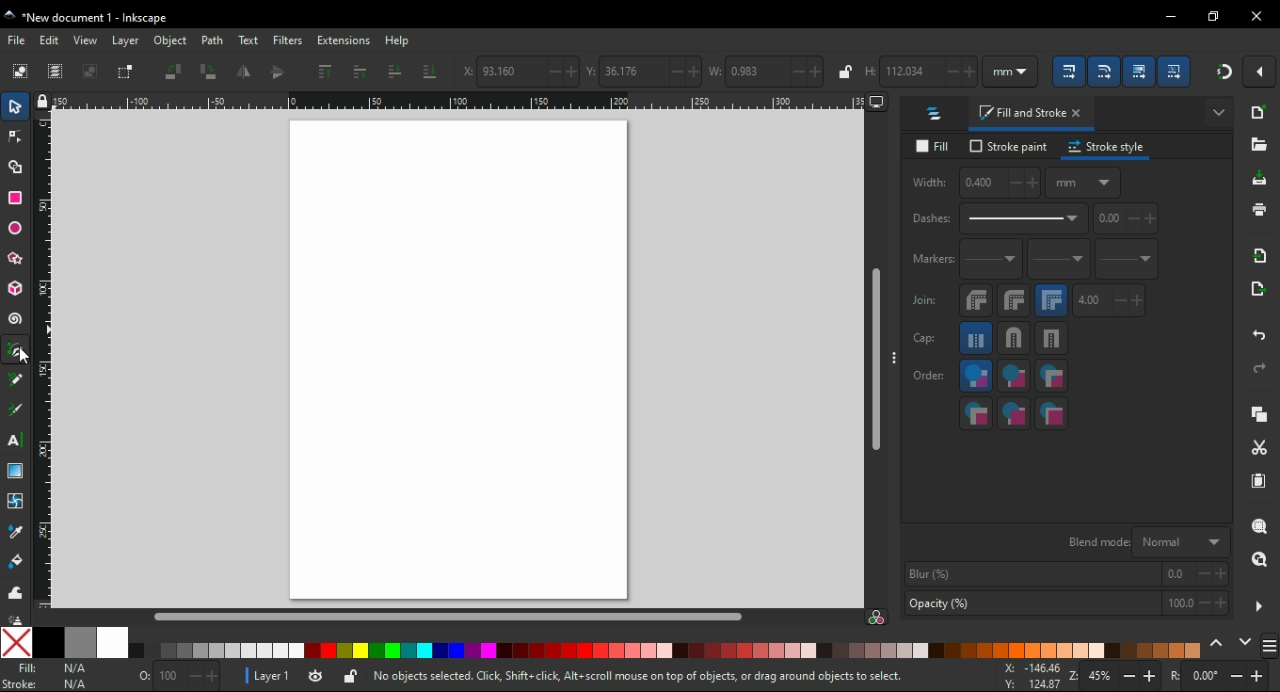  What do you see at coordinates (931, 259) in the screenshot?
I see `markers` at bounding box center [931, 259].